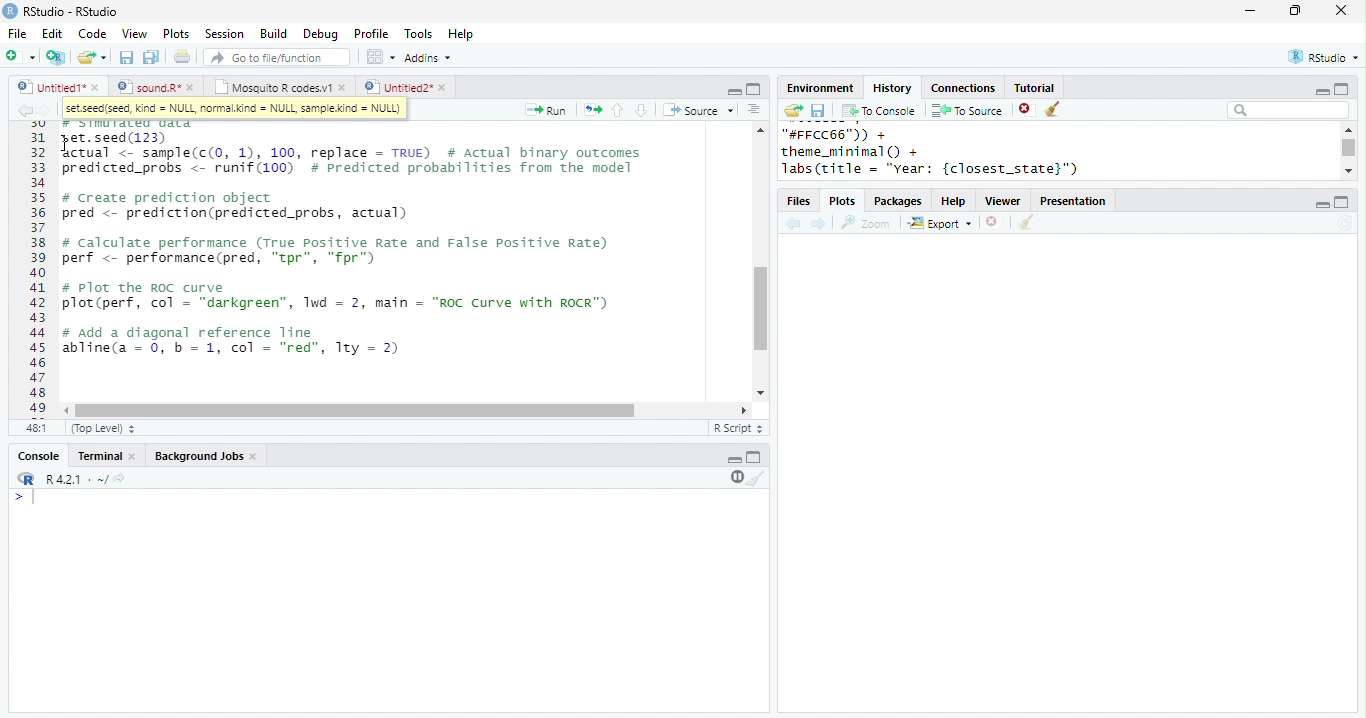  I want to click on scroll left, so click(68, 411).